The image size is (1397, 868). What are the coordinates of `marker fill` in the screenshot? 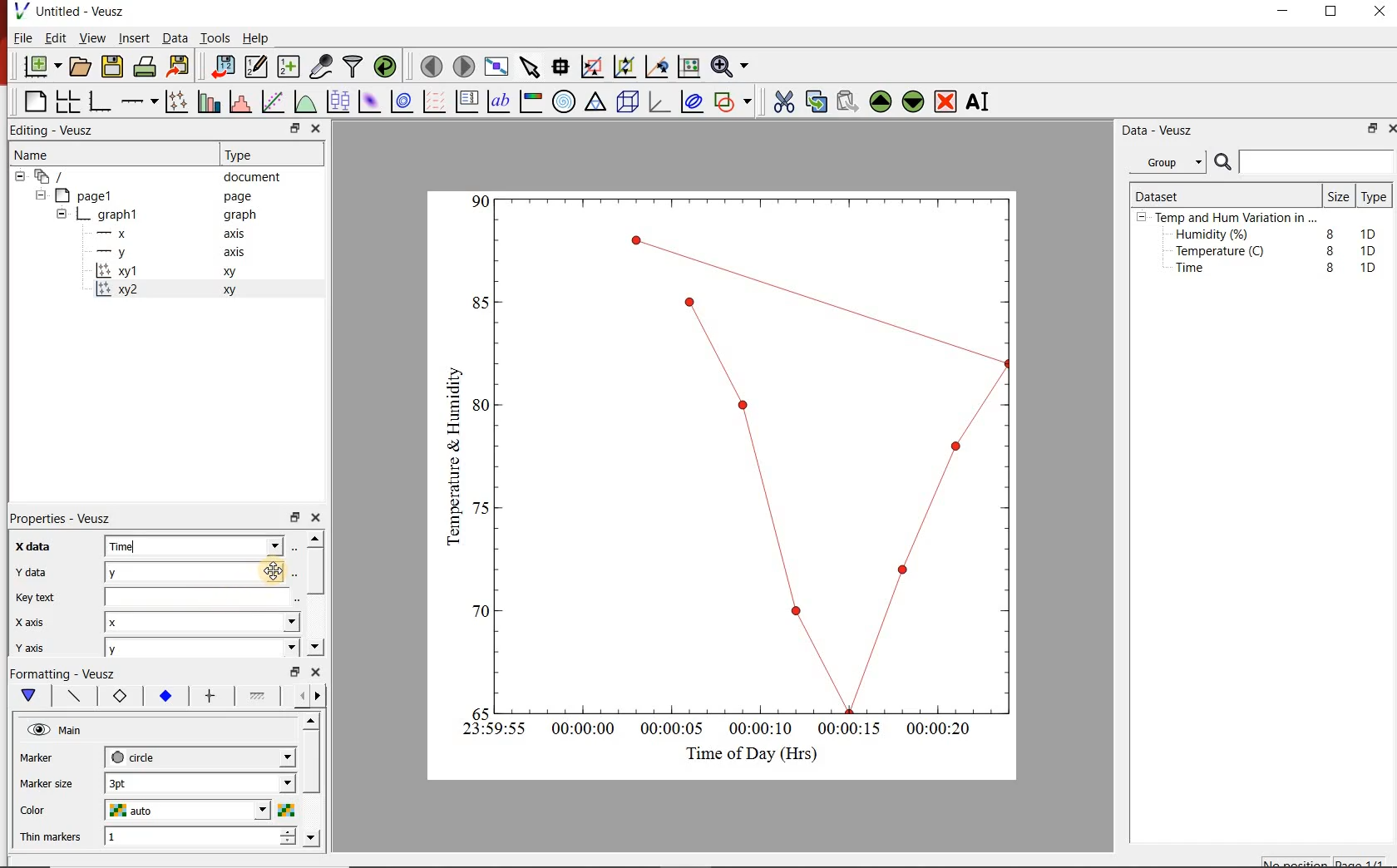 It's located at (165, 696).